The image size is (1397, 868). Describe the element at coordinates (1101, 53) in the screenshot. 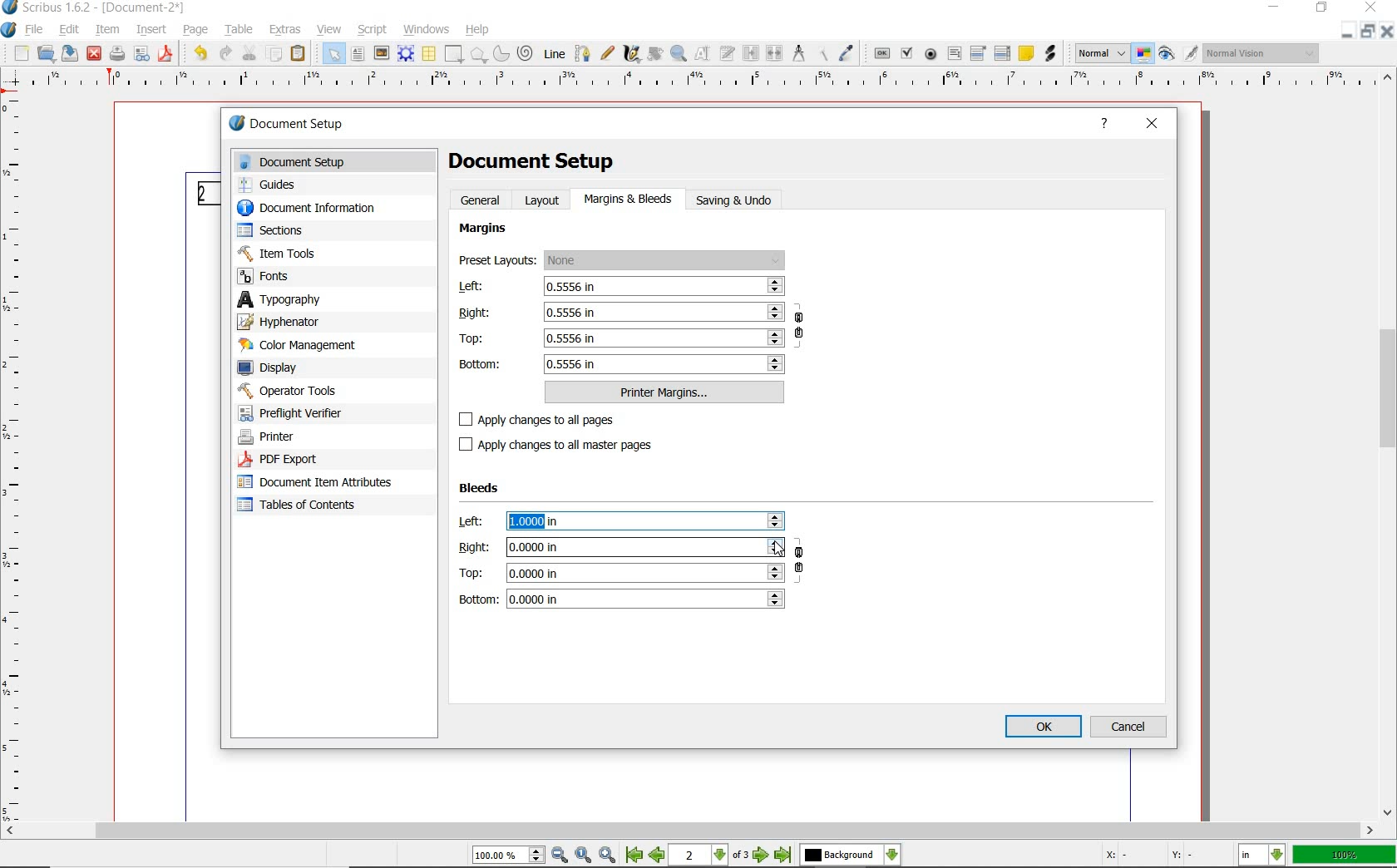

I see `select image preview mode` at that location.